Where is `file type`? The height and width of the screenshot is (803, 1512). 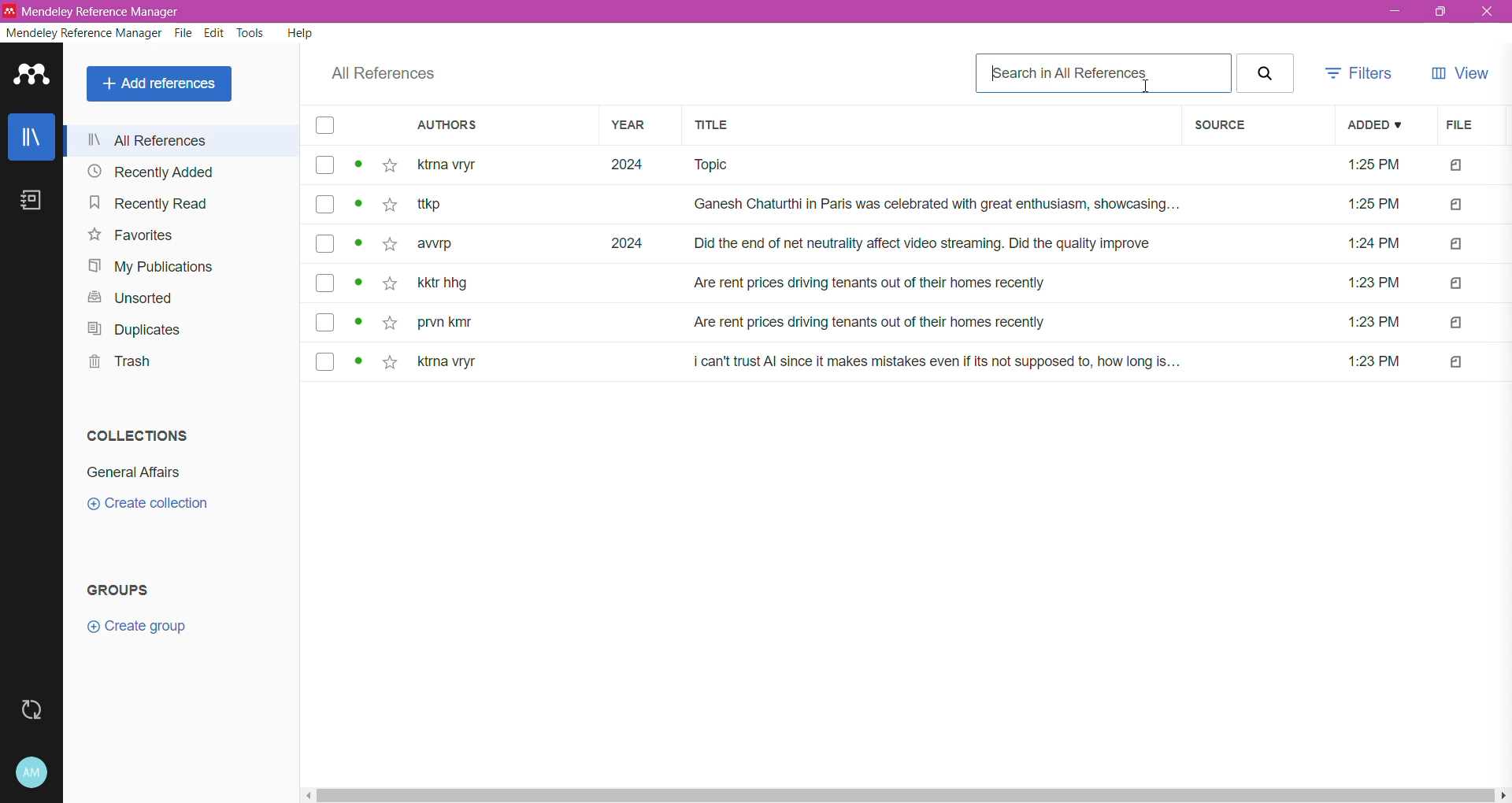 file type is located at coordinates (1457, 244).